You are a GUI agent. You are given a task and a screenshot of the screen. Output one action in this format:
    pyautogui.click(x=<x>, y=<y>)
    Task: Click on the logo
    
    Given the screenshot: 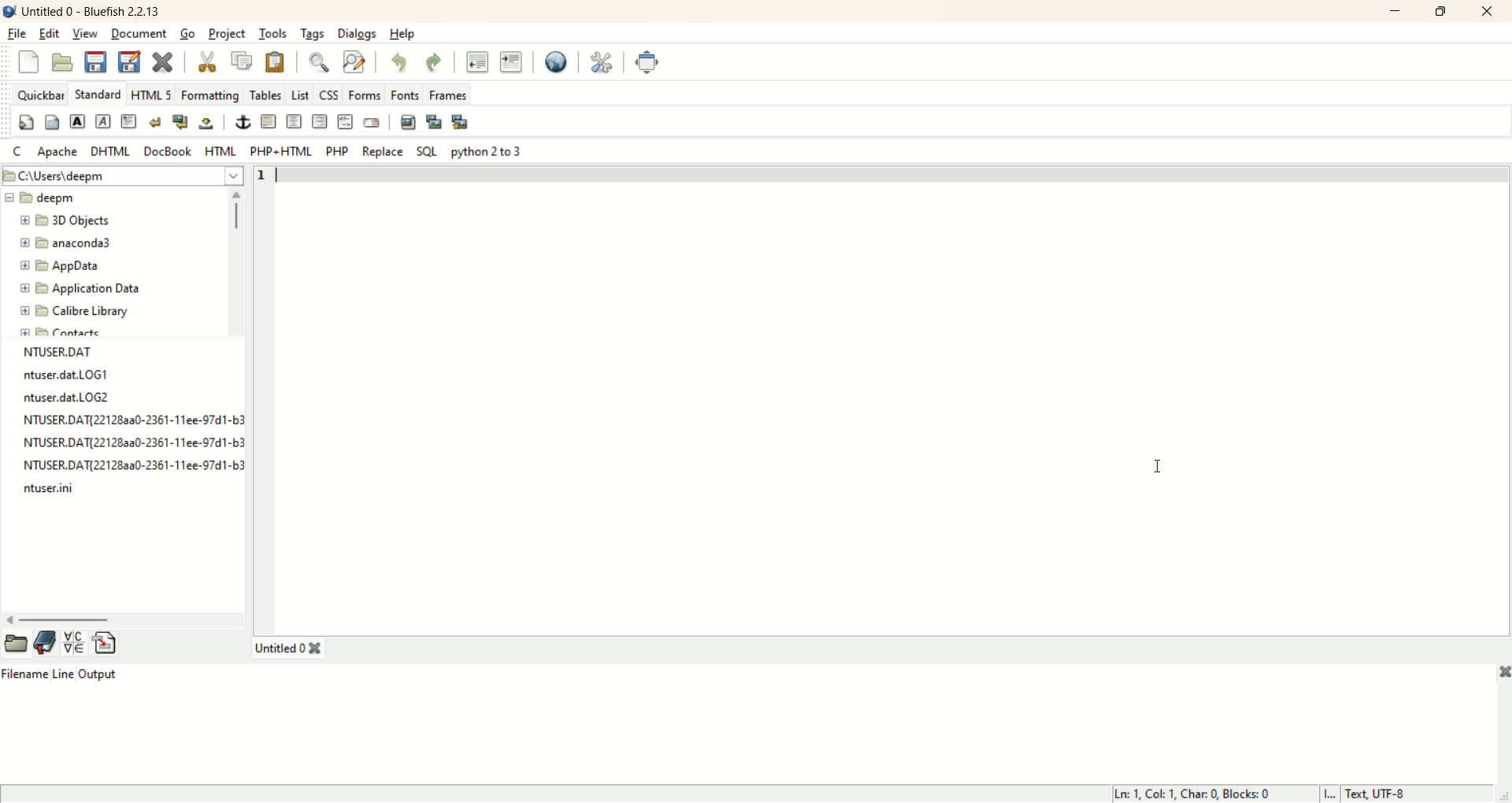 What is the action you would take?
    pyautogui.click(x=9, y=11)
    